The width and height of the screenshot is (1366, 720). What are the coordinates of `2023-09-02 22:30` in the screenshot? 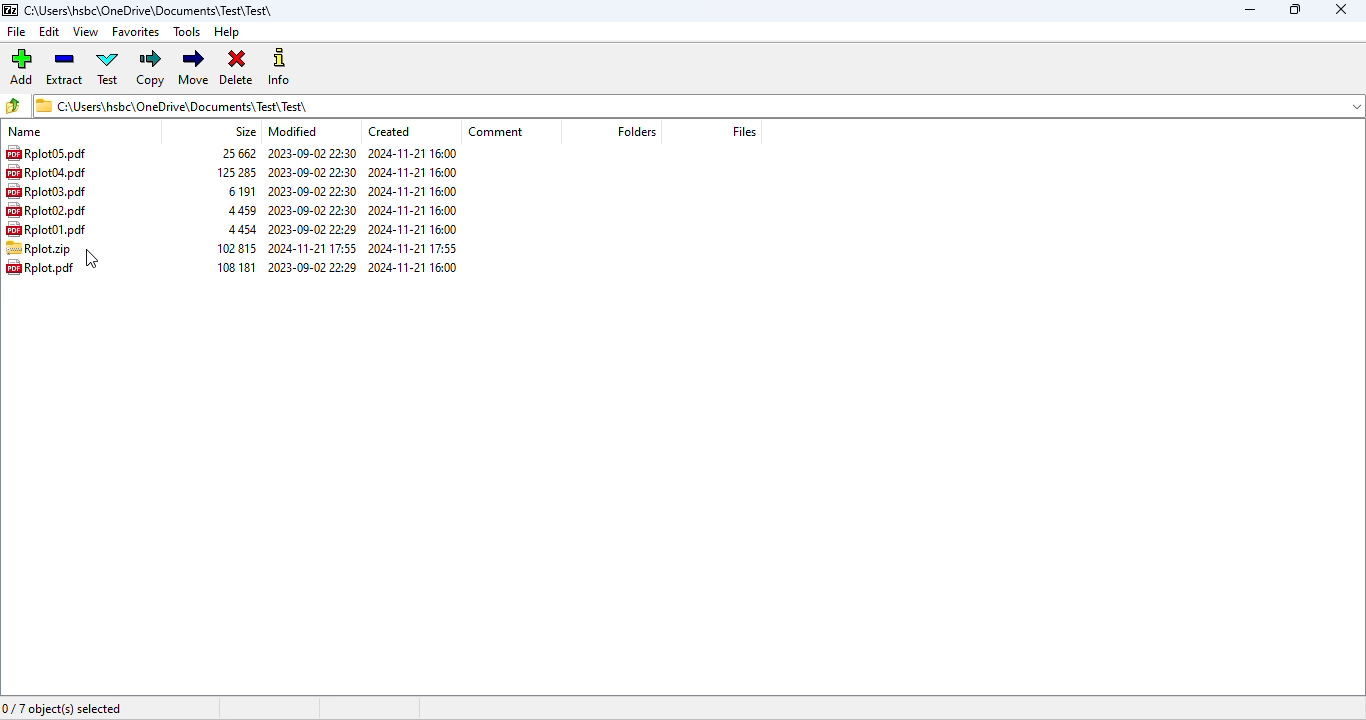 It's located at (312, 191).